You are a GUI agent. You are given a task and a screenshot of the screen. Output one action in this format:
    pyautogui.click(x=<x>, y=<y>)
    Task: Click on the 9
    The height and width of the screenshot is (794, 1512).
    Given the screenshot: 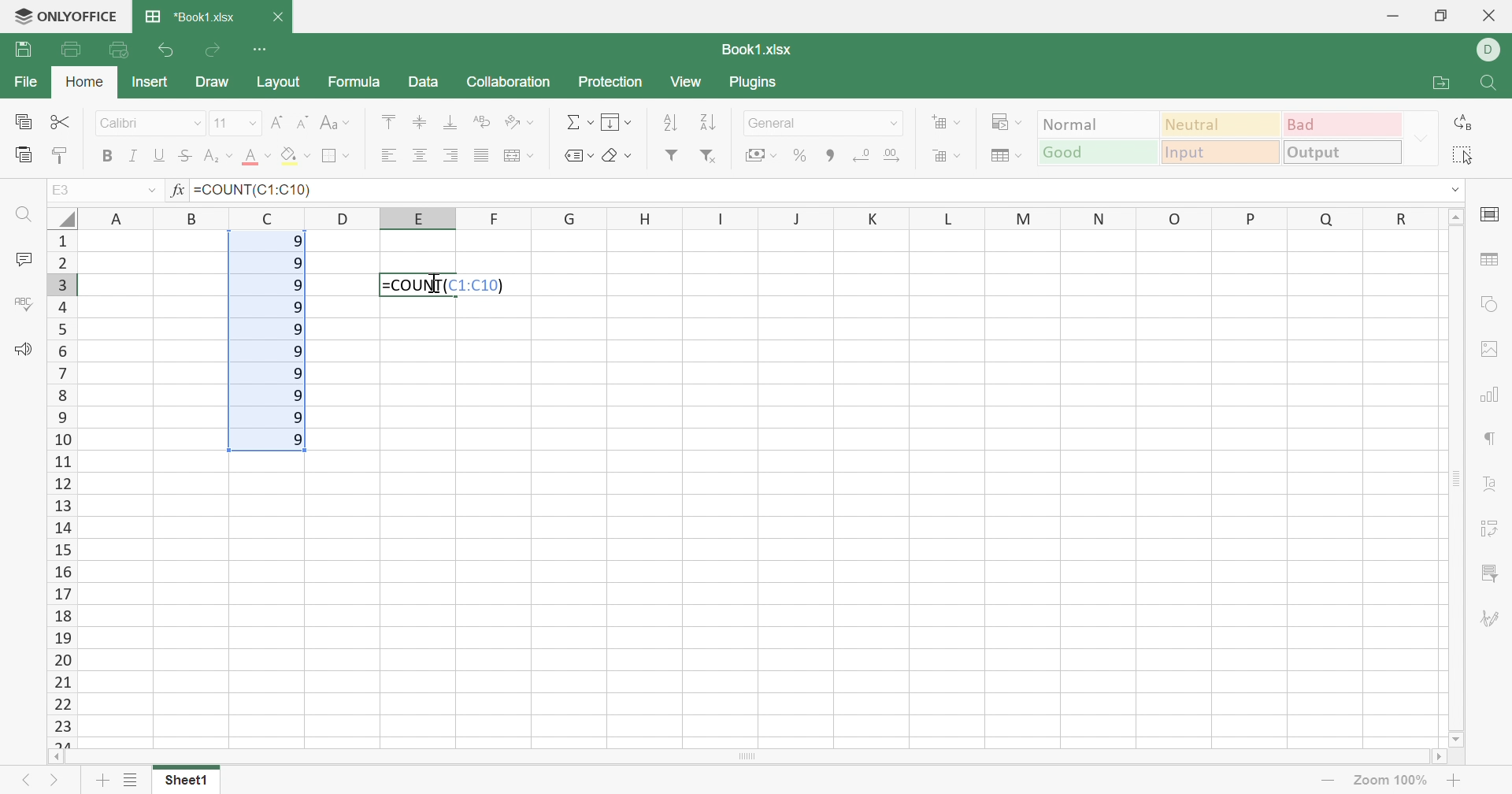 What is the action you would take?
    pyautogui.click(x=296, y=375)
    